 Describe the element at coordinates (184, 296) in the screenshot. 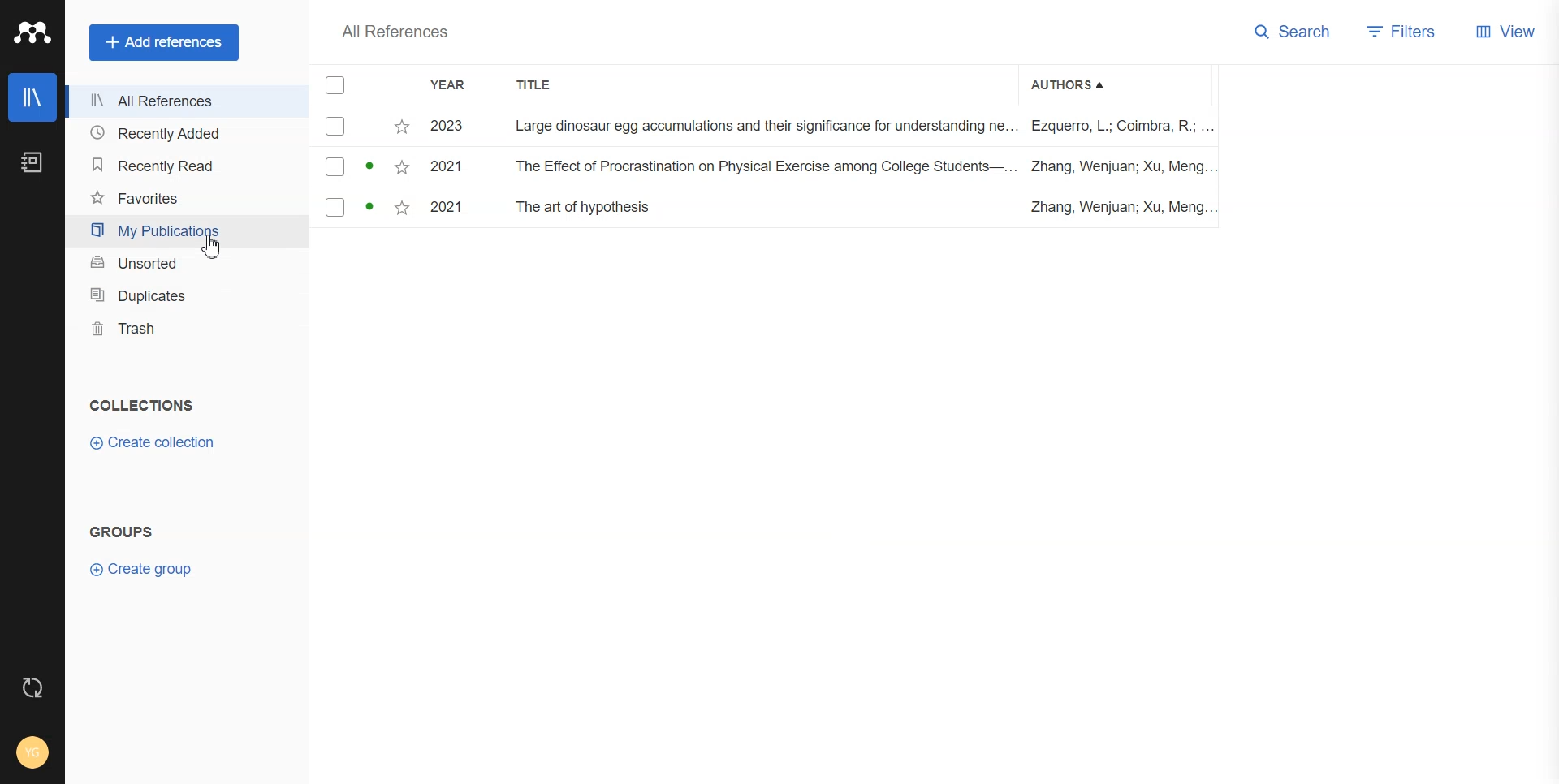

I see `Duplicates` at that location.